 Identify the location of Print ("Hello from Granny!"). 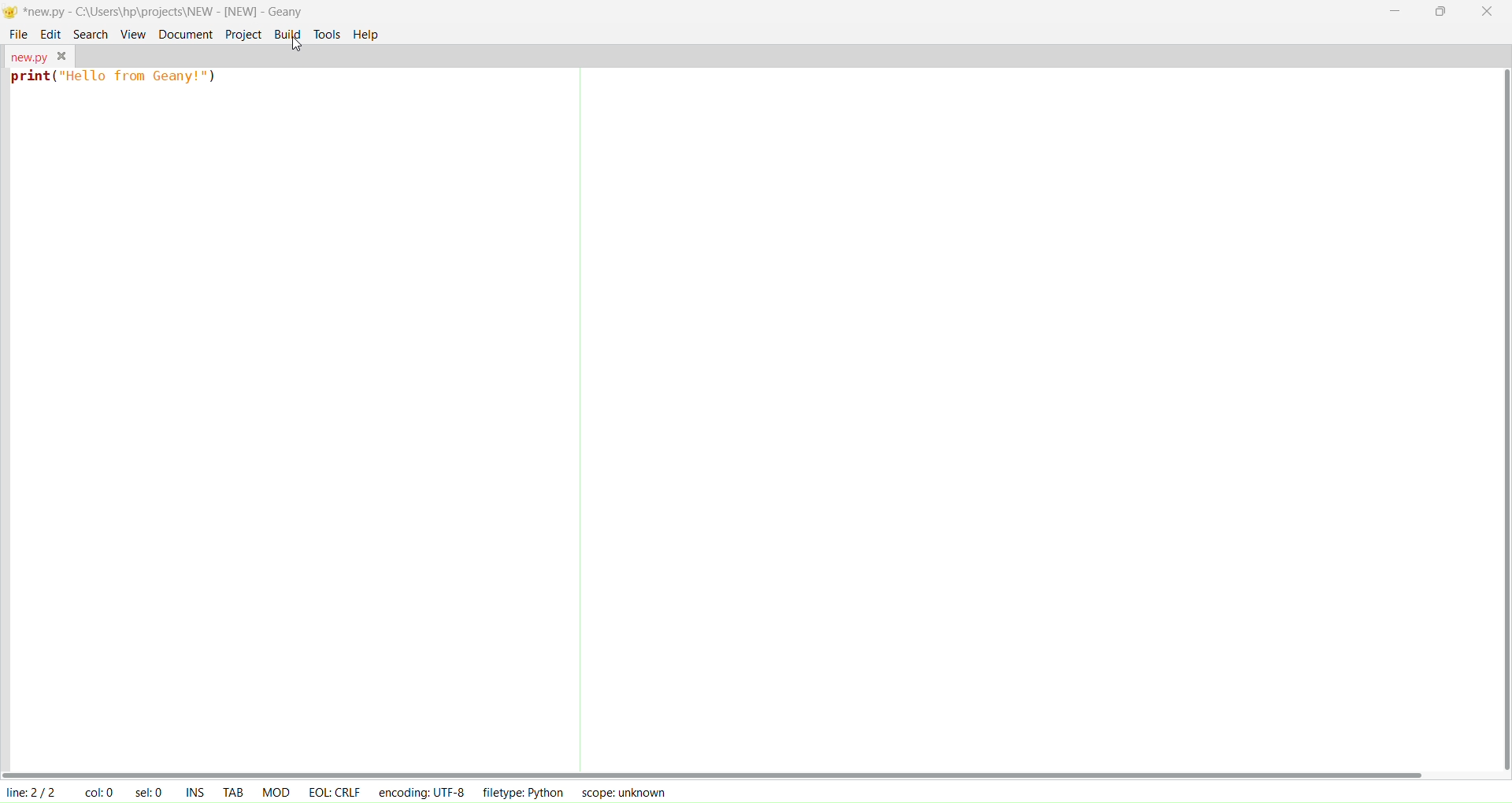
(117, 80).